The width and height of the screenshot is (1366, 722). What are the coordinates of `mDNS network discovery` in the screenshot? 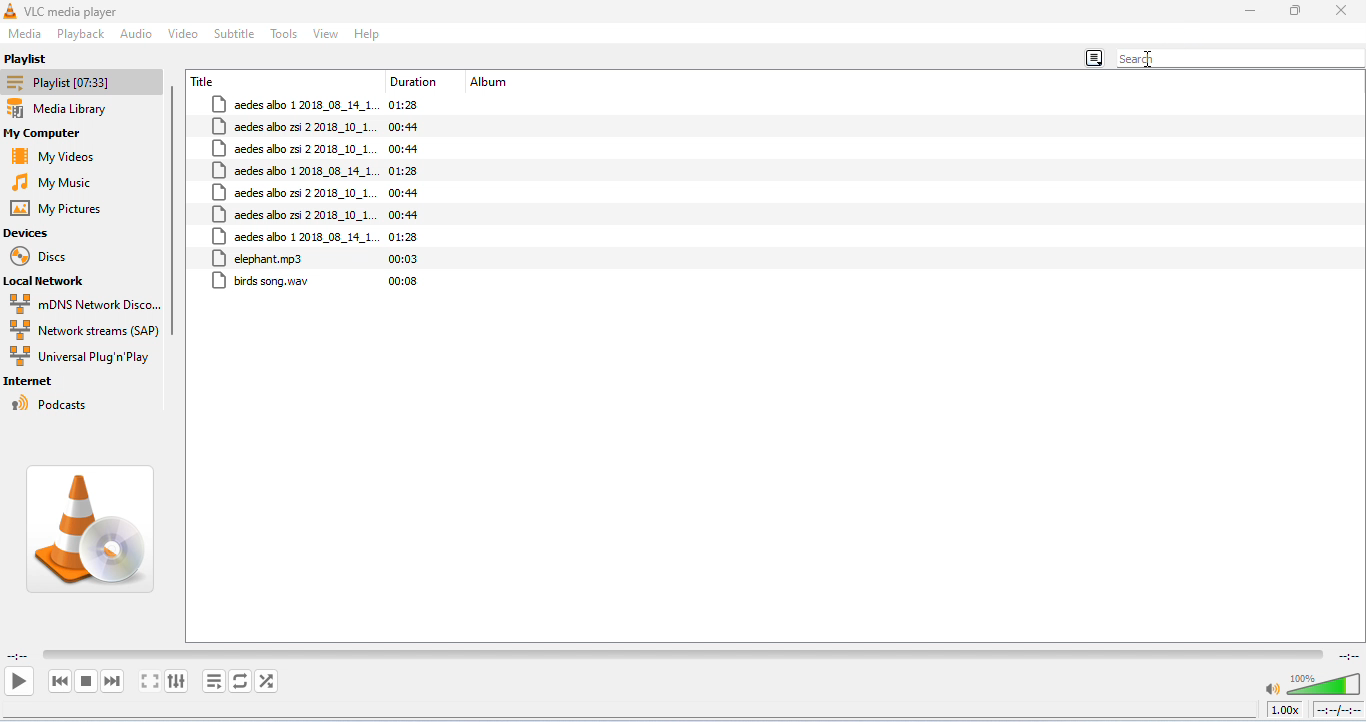 It's located at (85, 304).